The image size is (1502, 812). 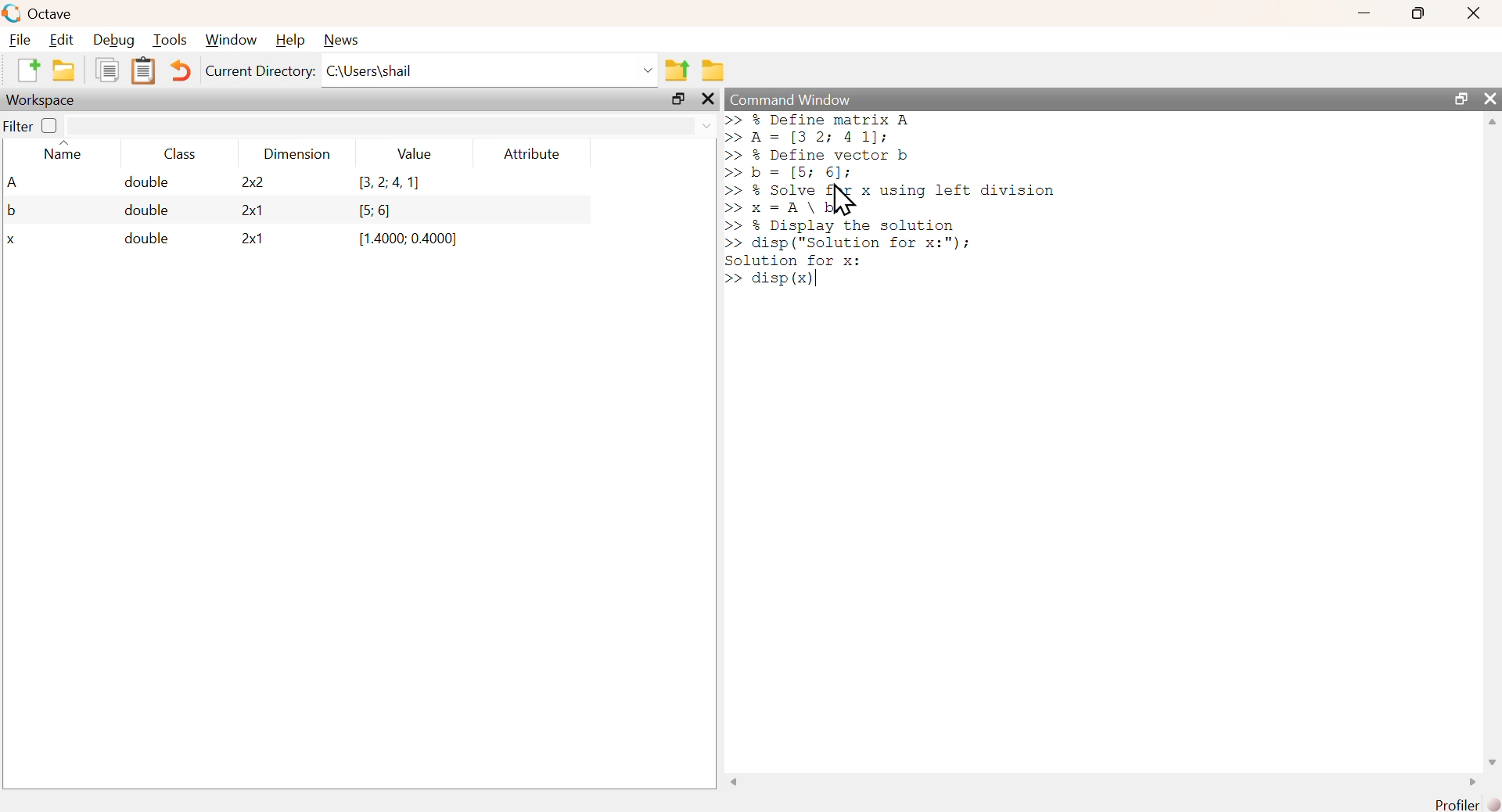 I want to click on dimension, so click(x=296, y=156).